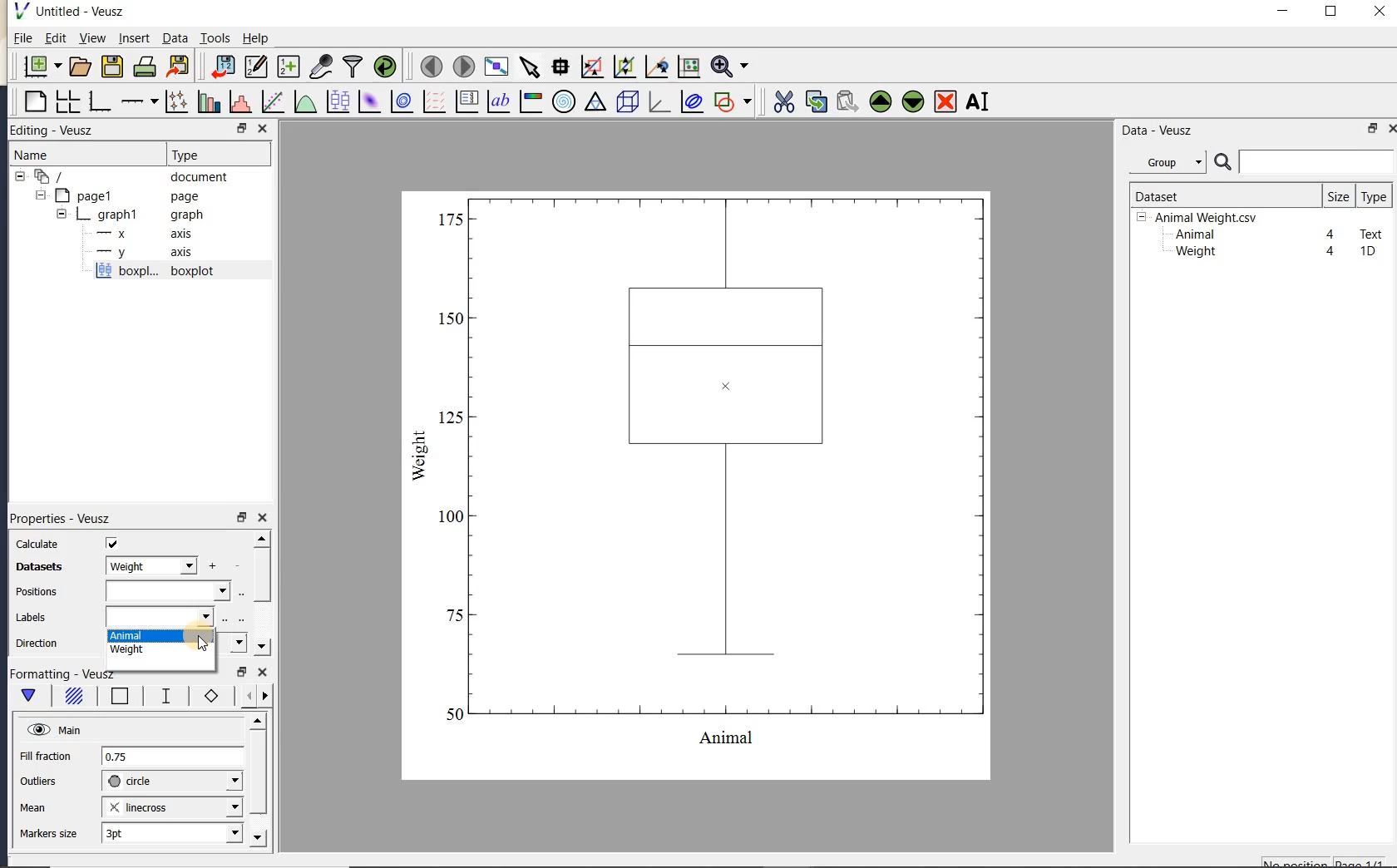 The height and width of the screenshot is (868, 1397). I want to click on move the selected widget down, so click(913, 101).